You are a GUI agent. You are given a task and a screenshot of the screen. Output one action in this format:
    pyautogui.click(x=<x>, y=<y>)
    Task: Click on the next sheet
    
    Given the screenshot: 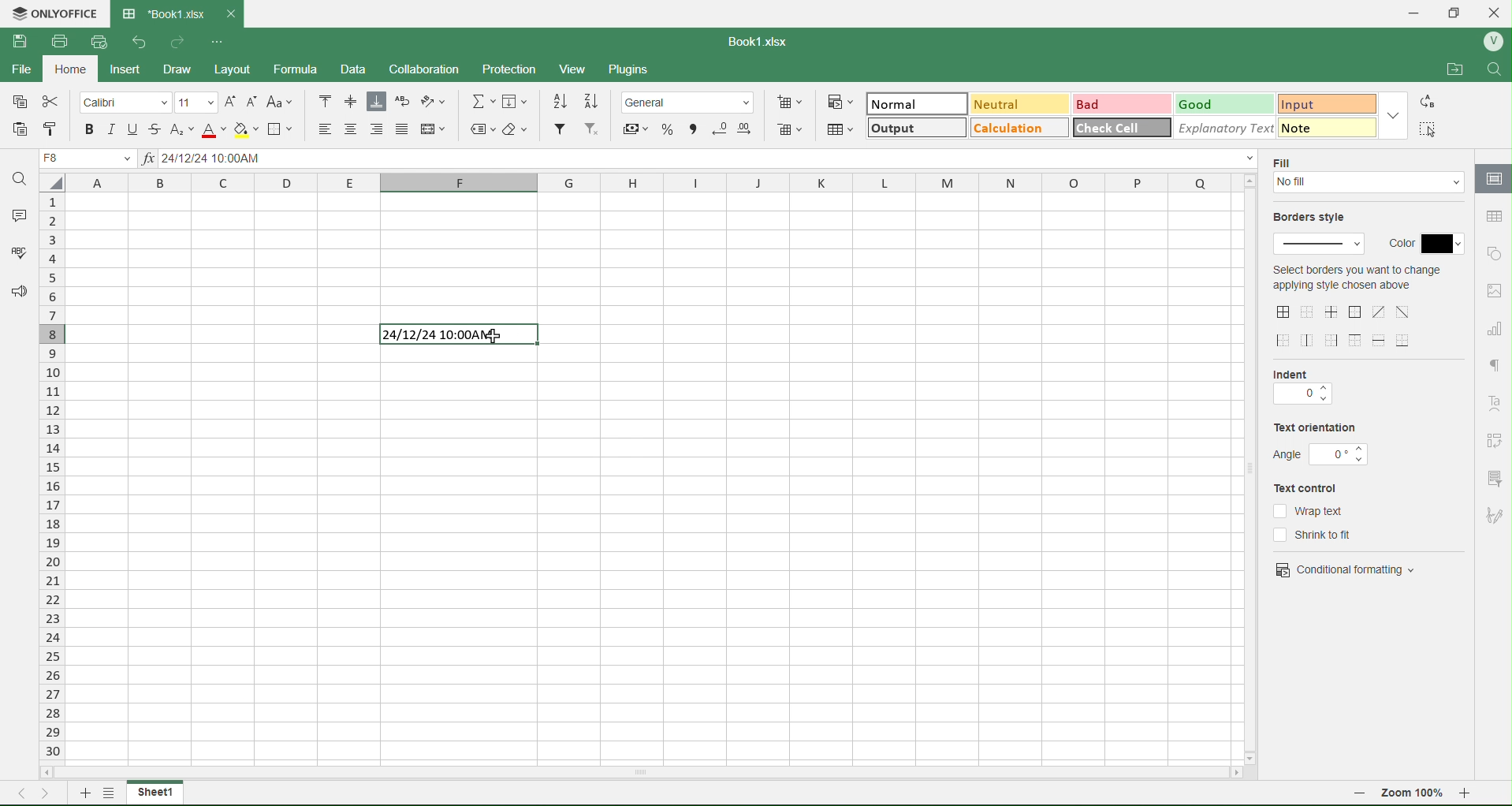 What is the action you would take?
    pyautogui.click(x=49, y=792)
    